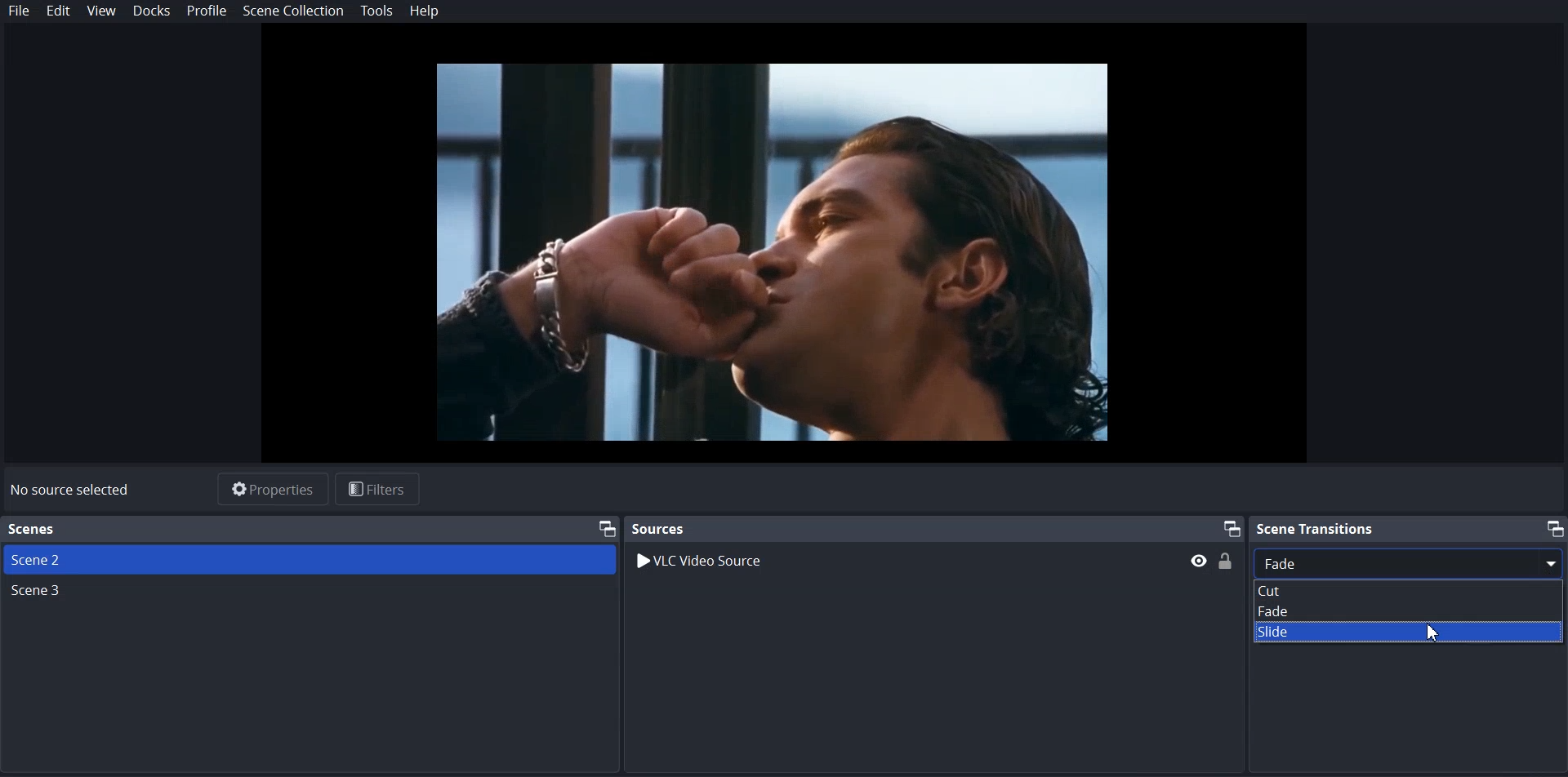 Image resolution: width=1568 pixels, height=777 pixels. What do you see at coordinates (1227, 560) in the screenshot?
I see `(un)Lock` at bounding box center [1227, 560].